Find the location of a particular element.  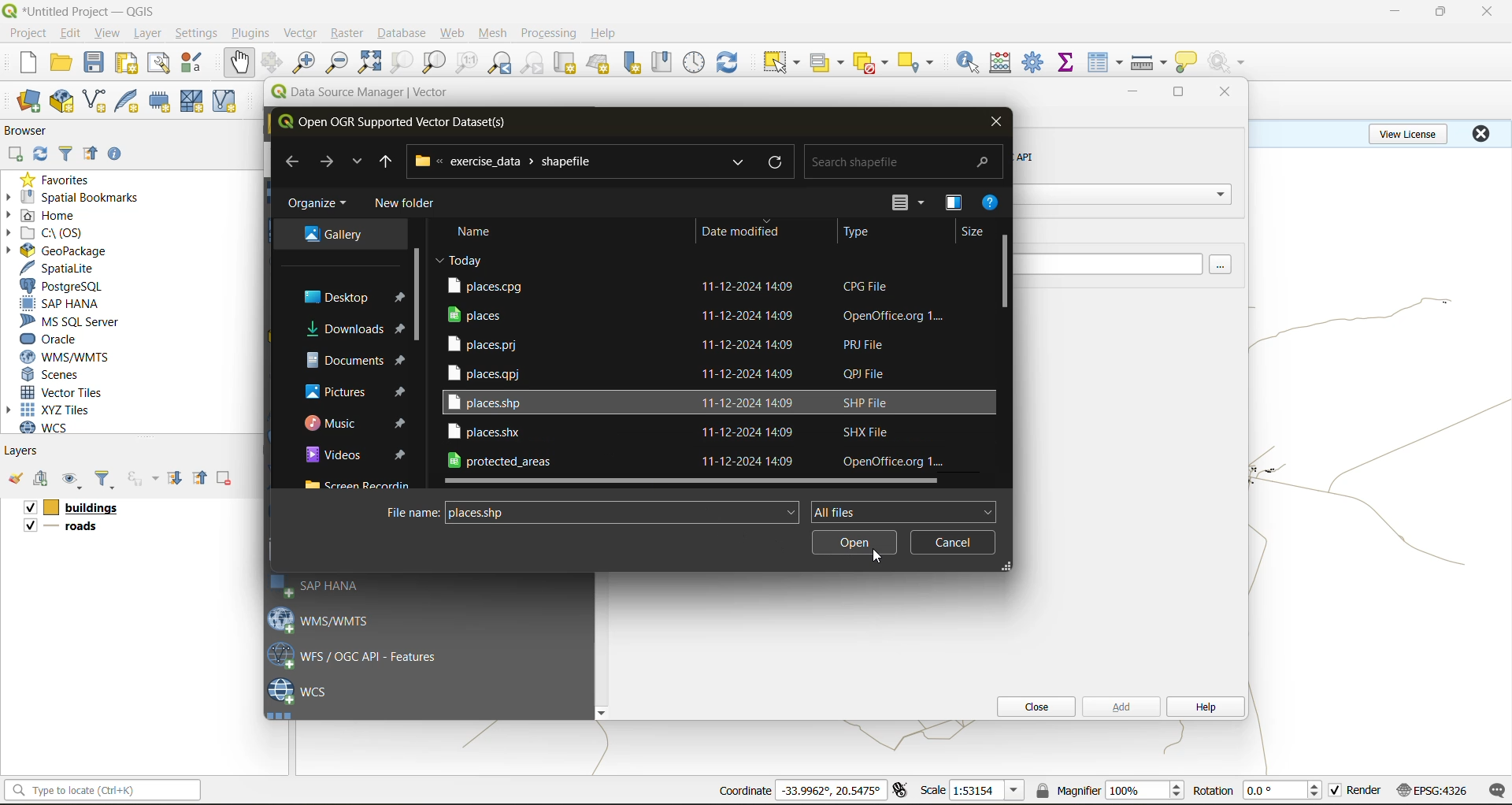

cancel is located at coordinates (952, 542).